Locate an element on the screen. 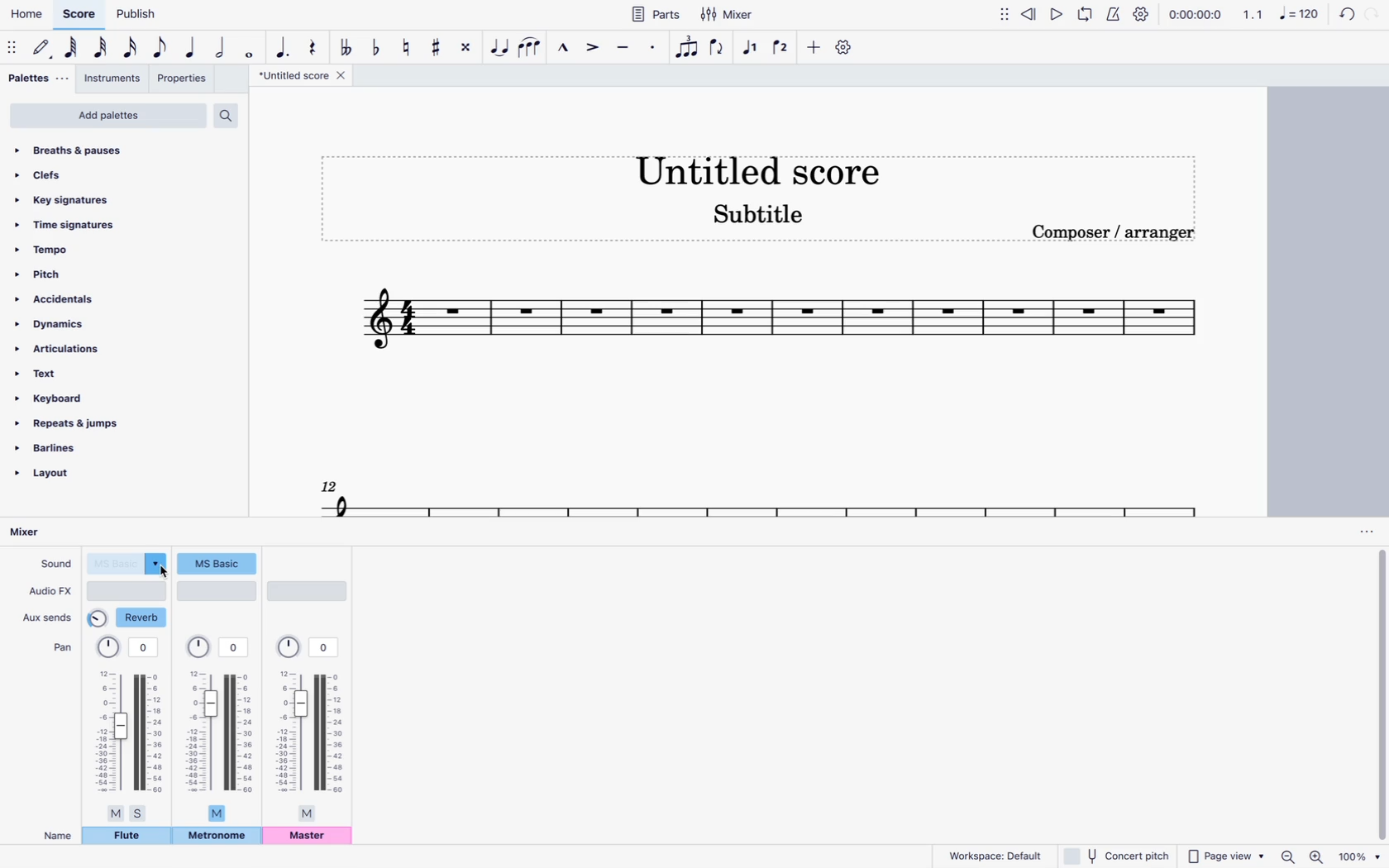 Image resolution: width=1389 pixels, height=868 pixels. more is located at coordinates (811, 46).